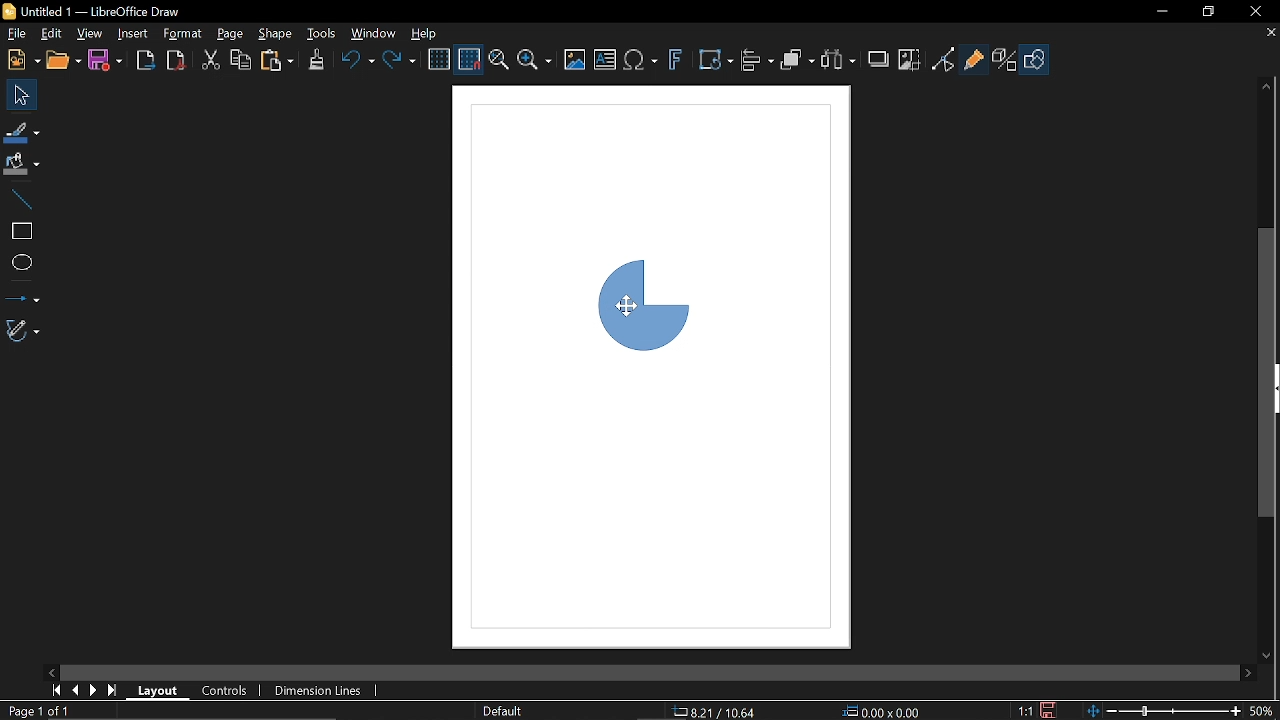  What do you see at coordinates (677, 62) in the screenshot?
I see `Insert fontwork text` at bounding box center [677, 62].